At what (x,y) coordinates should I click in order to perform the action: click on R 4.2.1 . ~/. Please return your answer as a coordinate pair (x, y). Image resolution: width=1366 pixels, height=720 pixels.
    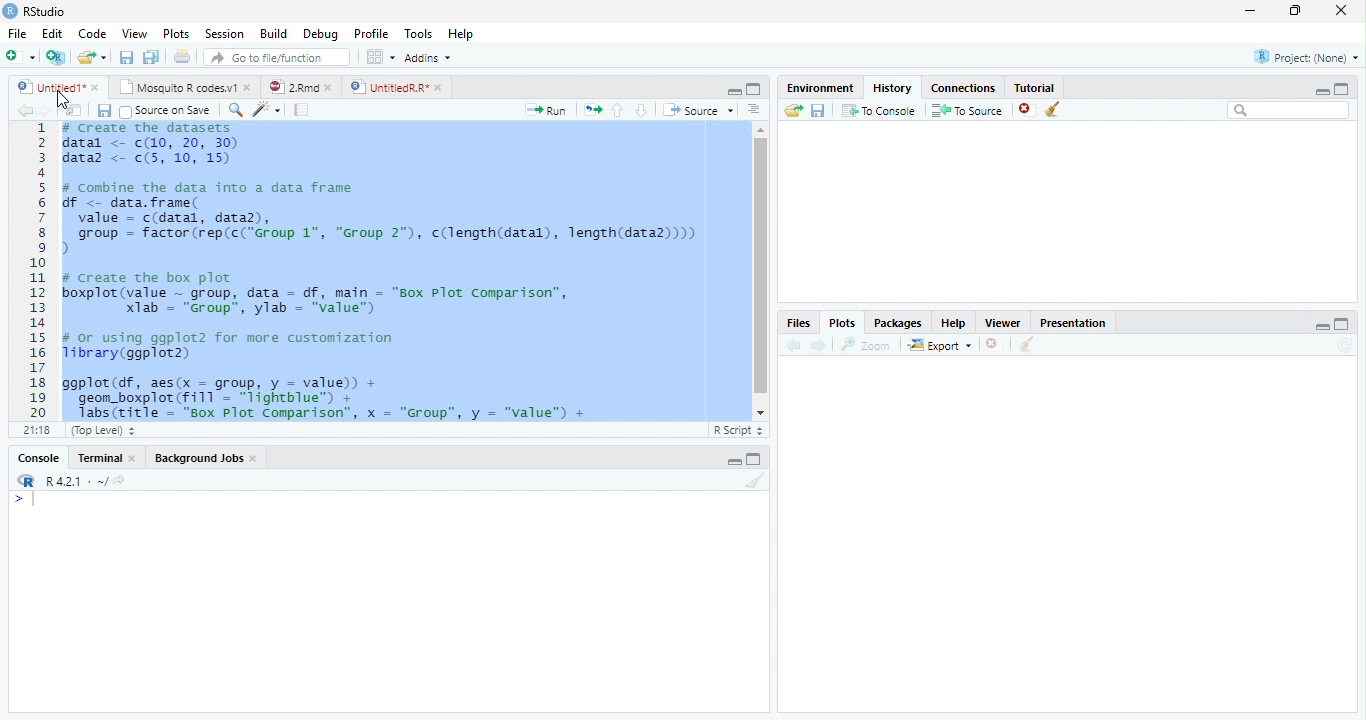
    Looking at the image, I should click on (76, 480).